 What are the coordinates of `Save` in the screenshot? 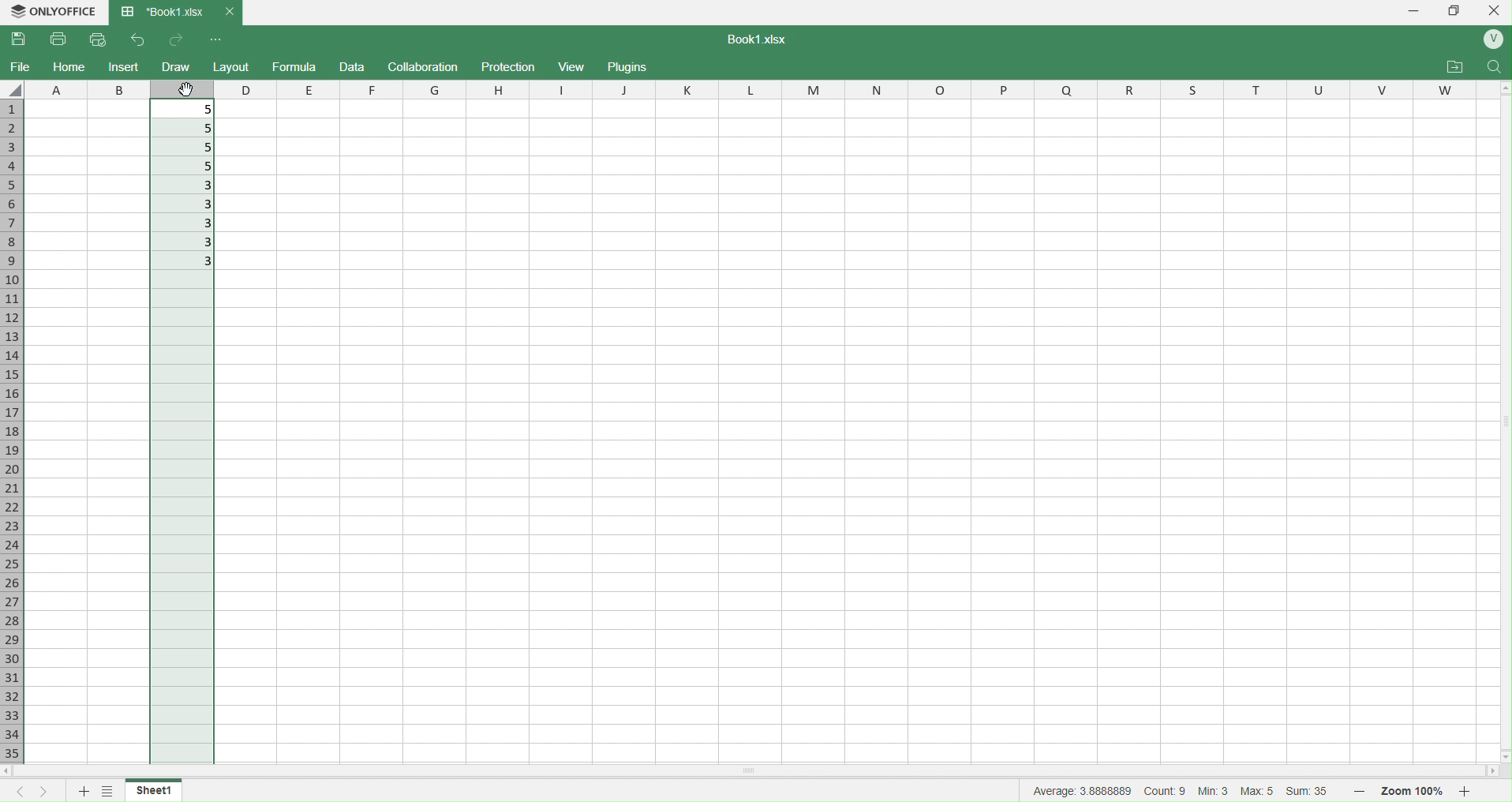 It's located at (21, 39).